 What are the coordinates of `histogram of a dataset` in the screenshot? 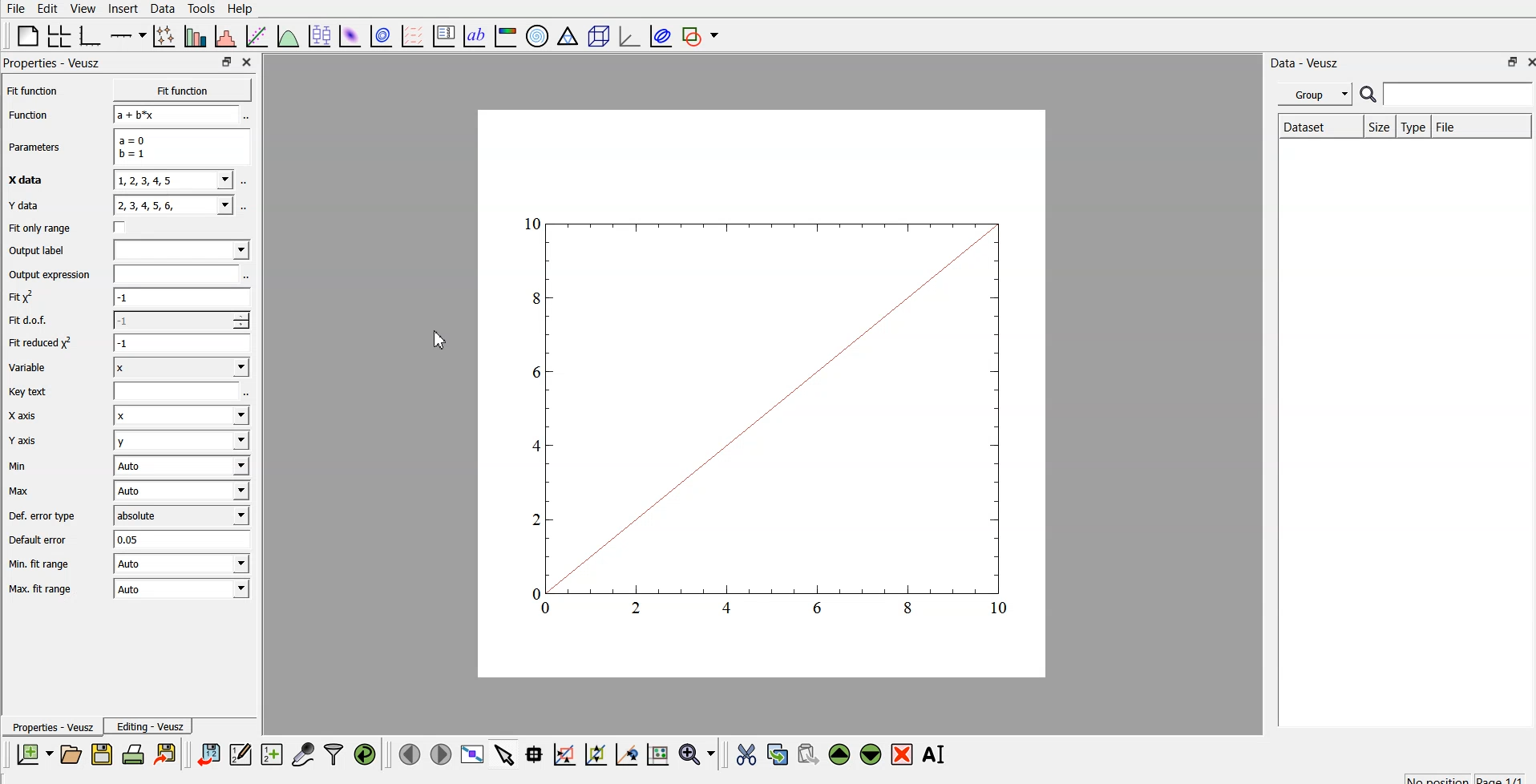 It's located at (224, 36).